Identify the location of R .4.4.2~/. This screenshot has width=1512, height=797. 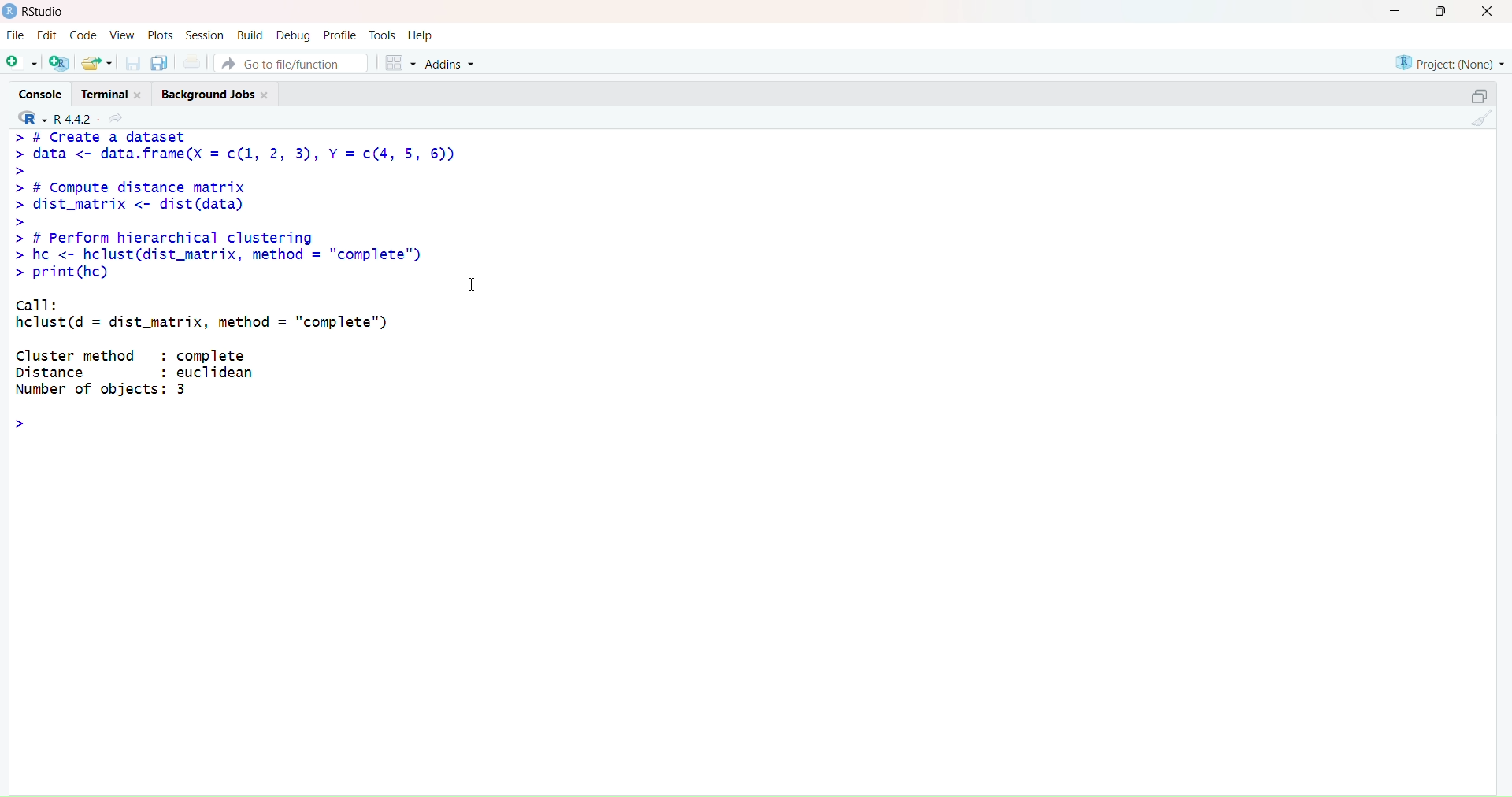
(76, 120).